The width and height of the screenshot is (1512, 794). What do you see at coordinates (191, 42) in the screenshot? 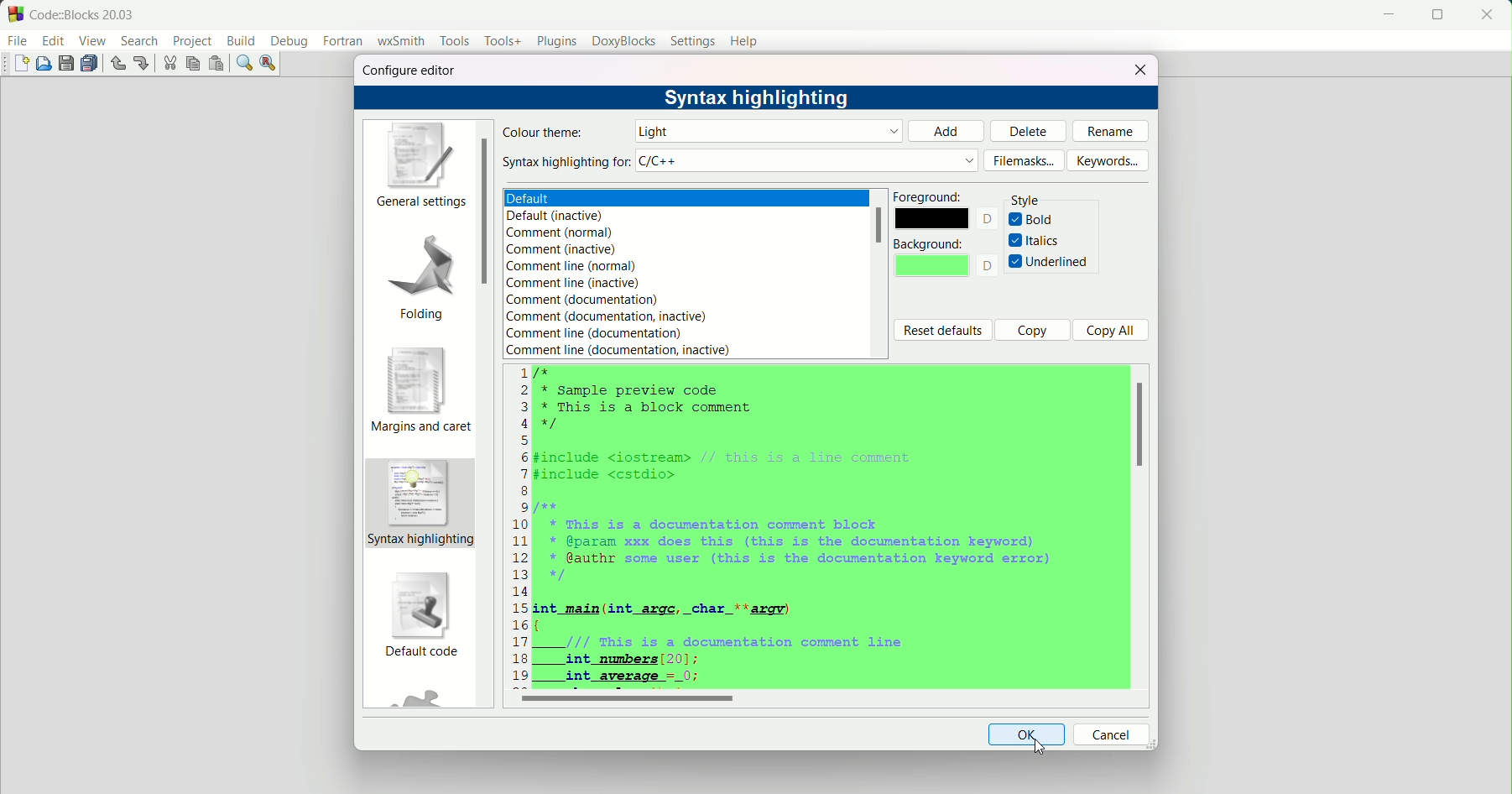
I see `project` at bounding box center [191, 42].